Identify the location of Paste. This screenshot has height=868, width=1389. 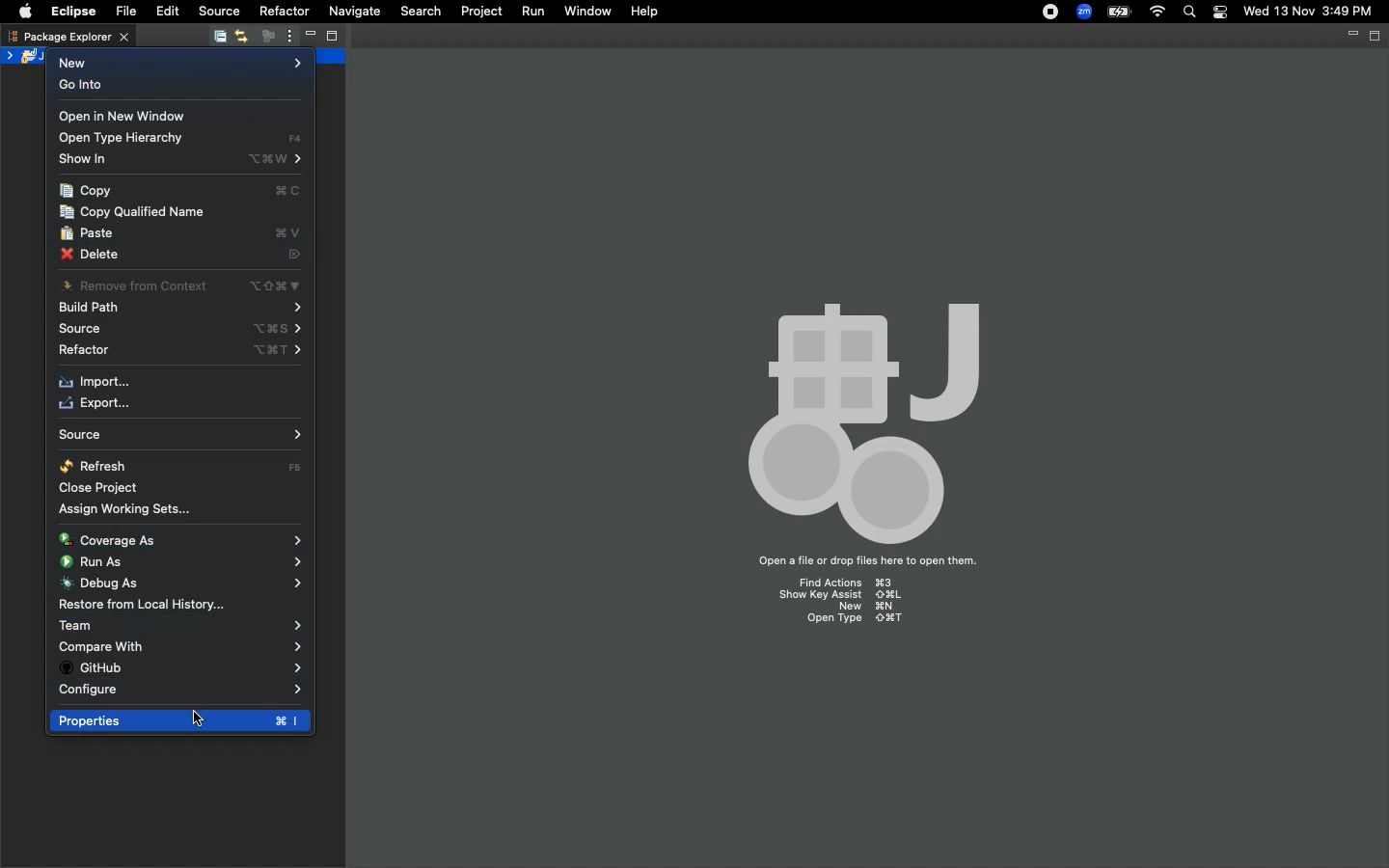
(180, 233).